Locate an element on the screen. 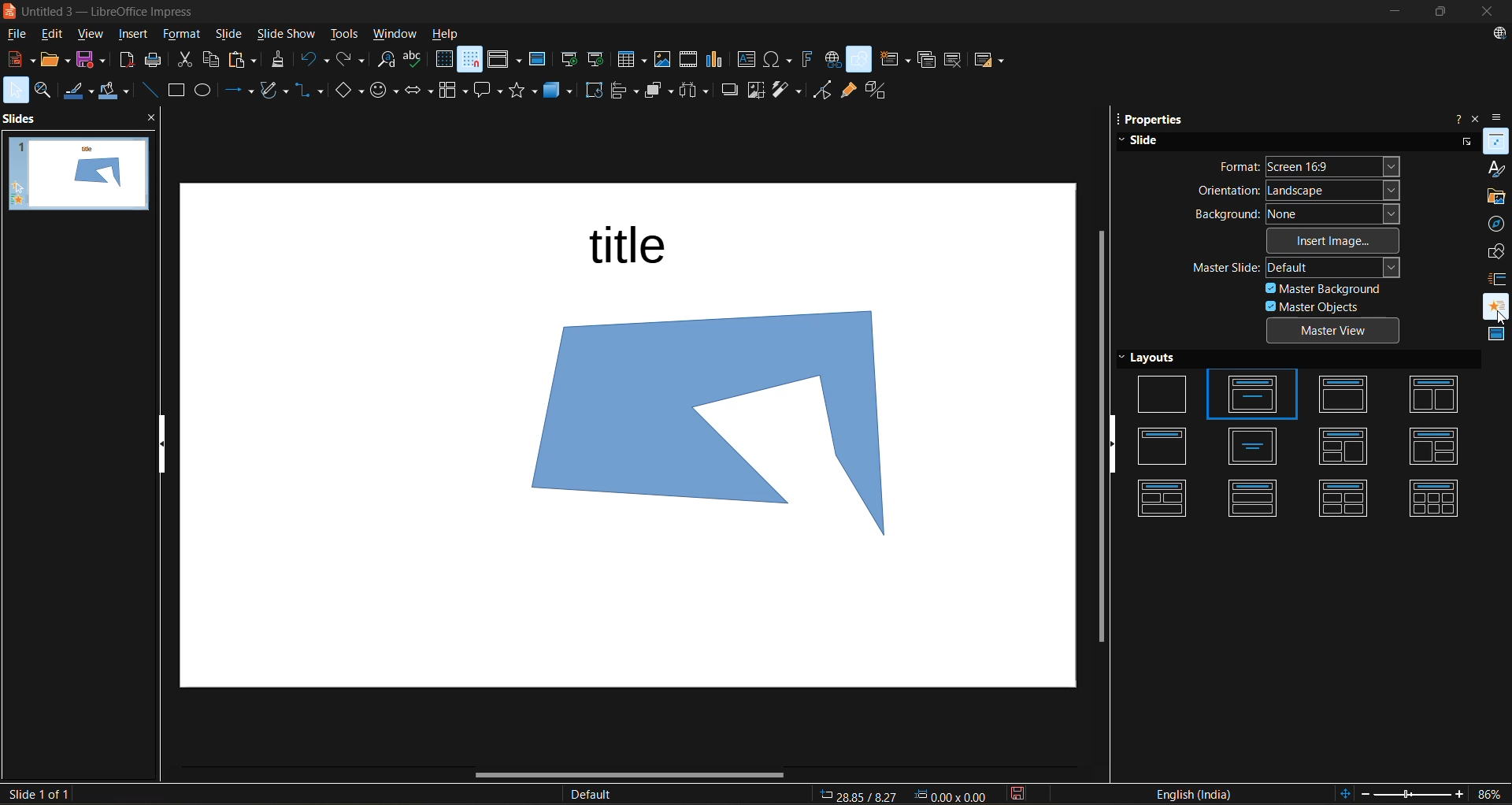  delete slide is located at coordinates (954, 63).